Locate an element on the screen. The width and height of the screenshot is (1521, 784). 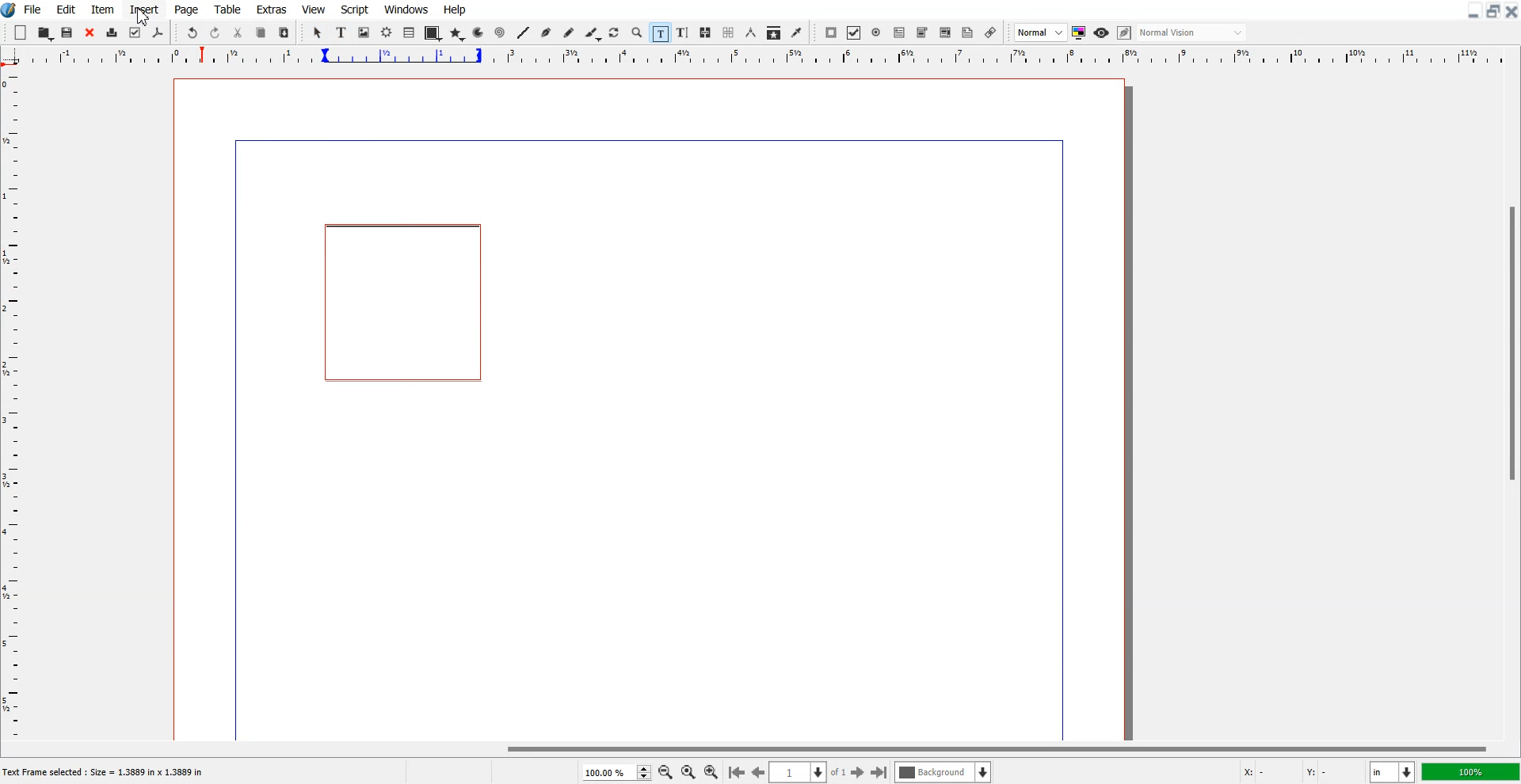
Print is located at coordinates (112, 34).